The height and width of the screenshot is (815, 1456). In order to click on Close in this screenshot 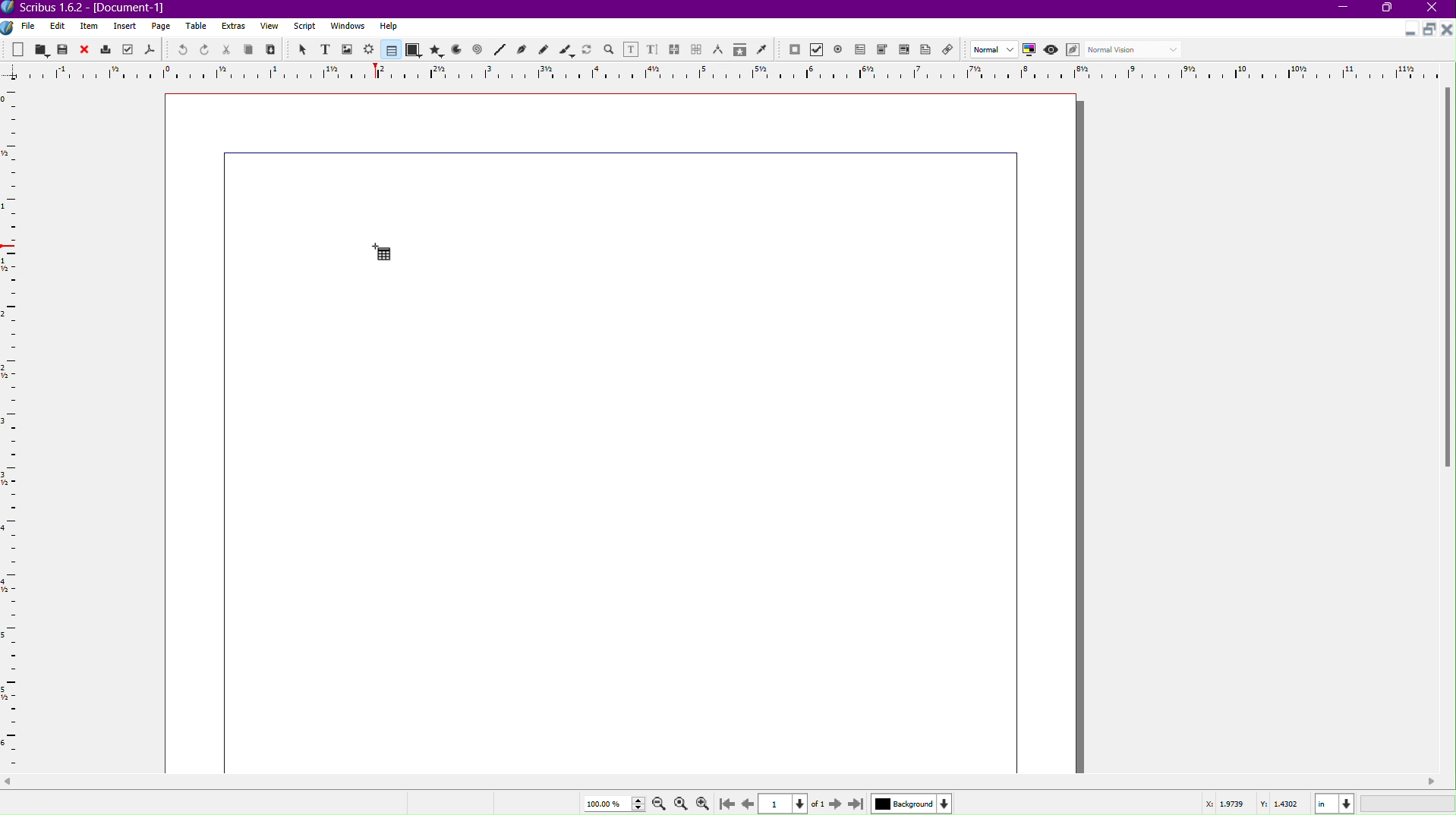, I will do `click(86, 49)`.